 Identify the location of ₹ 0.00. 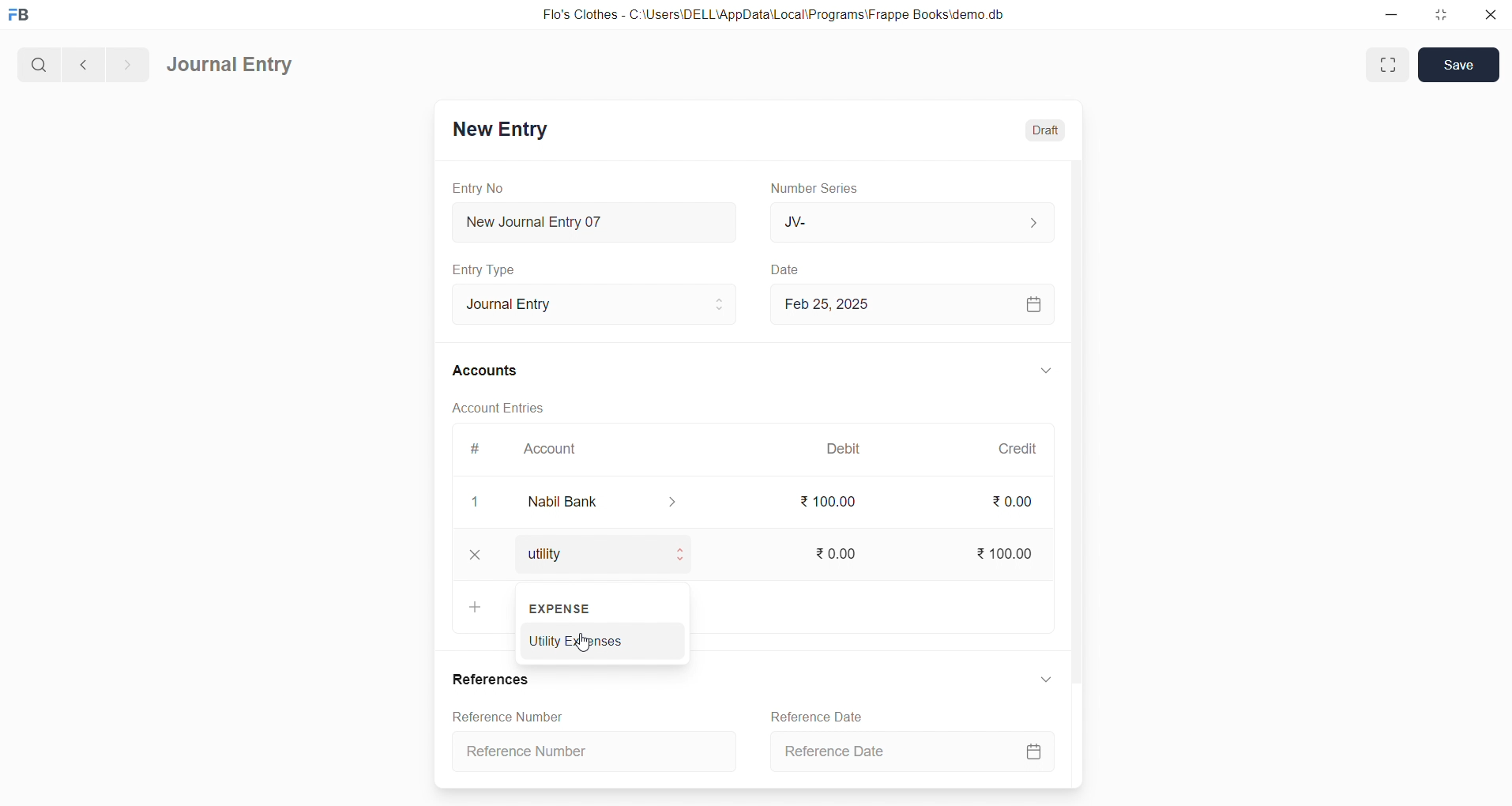
(832, 551).